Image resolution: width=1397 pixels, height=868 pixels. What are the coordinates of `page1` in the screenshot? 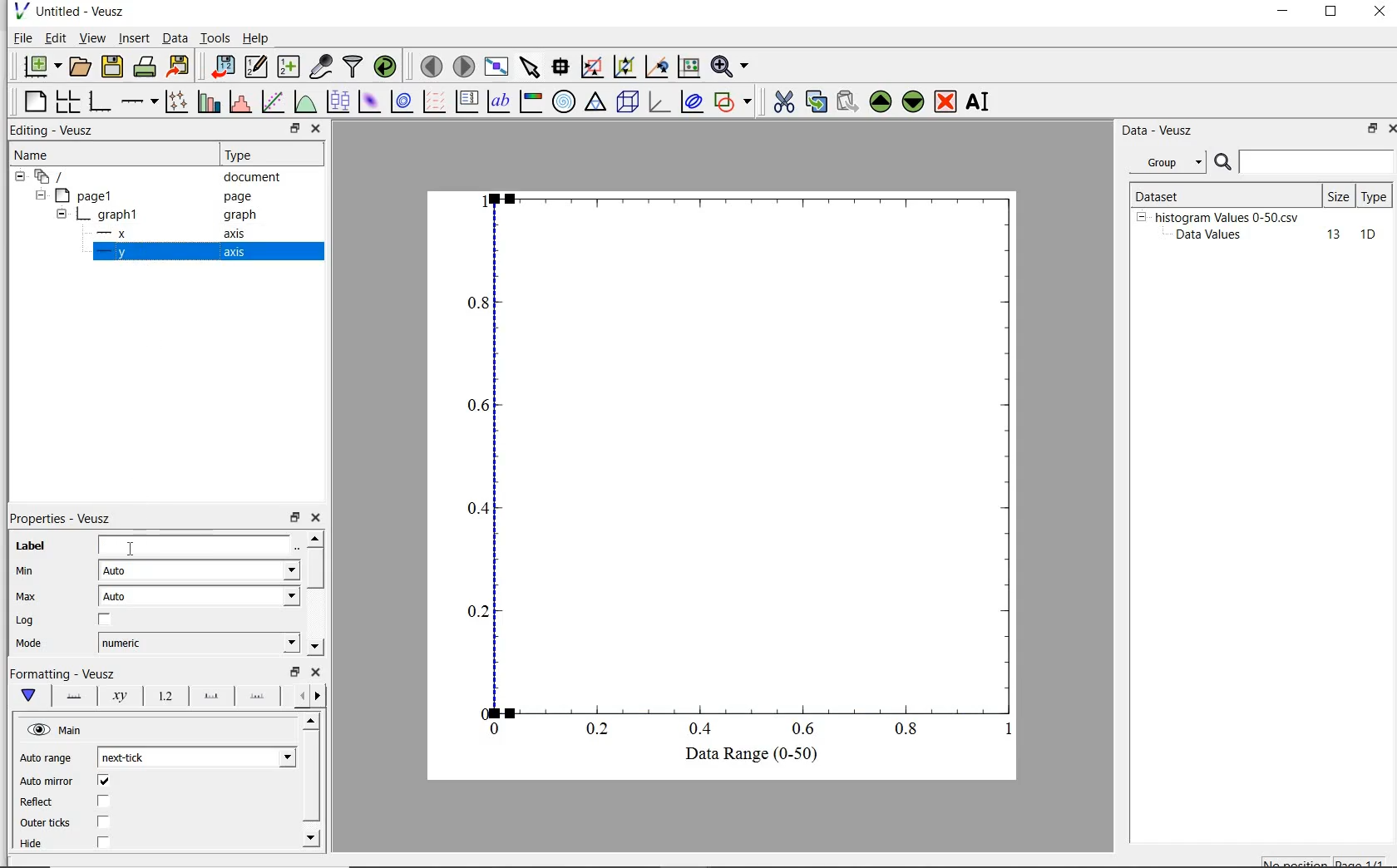 It's located at (87, 197).